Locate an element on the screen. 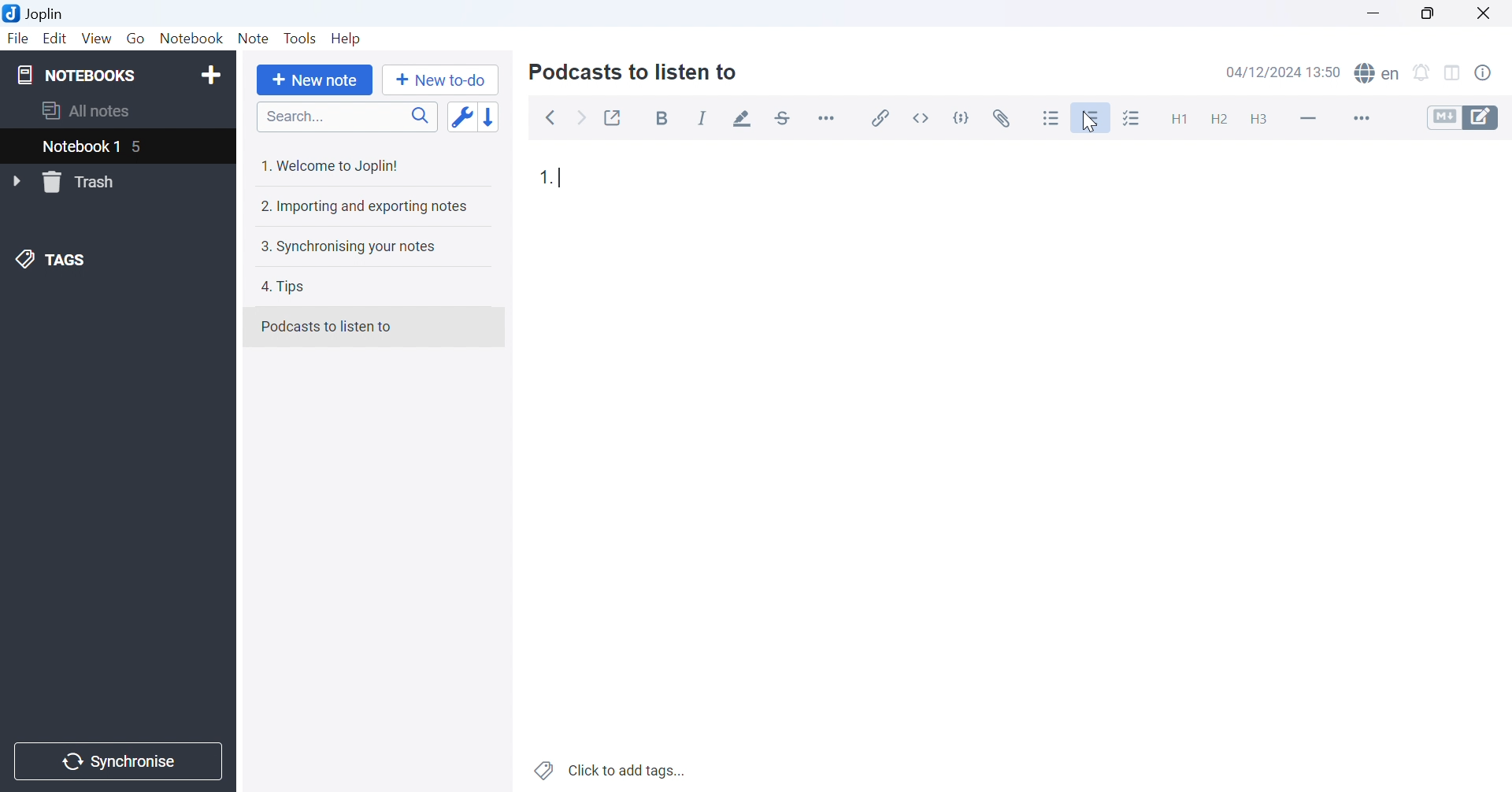 The width and height of the screenshot is (1512, 792). spell checker is located at coordinates (1381, 74).